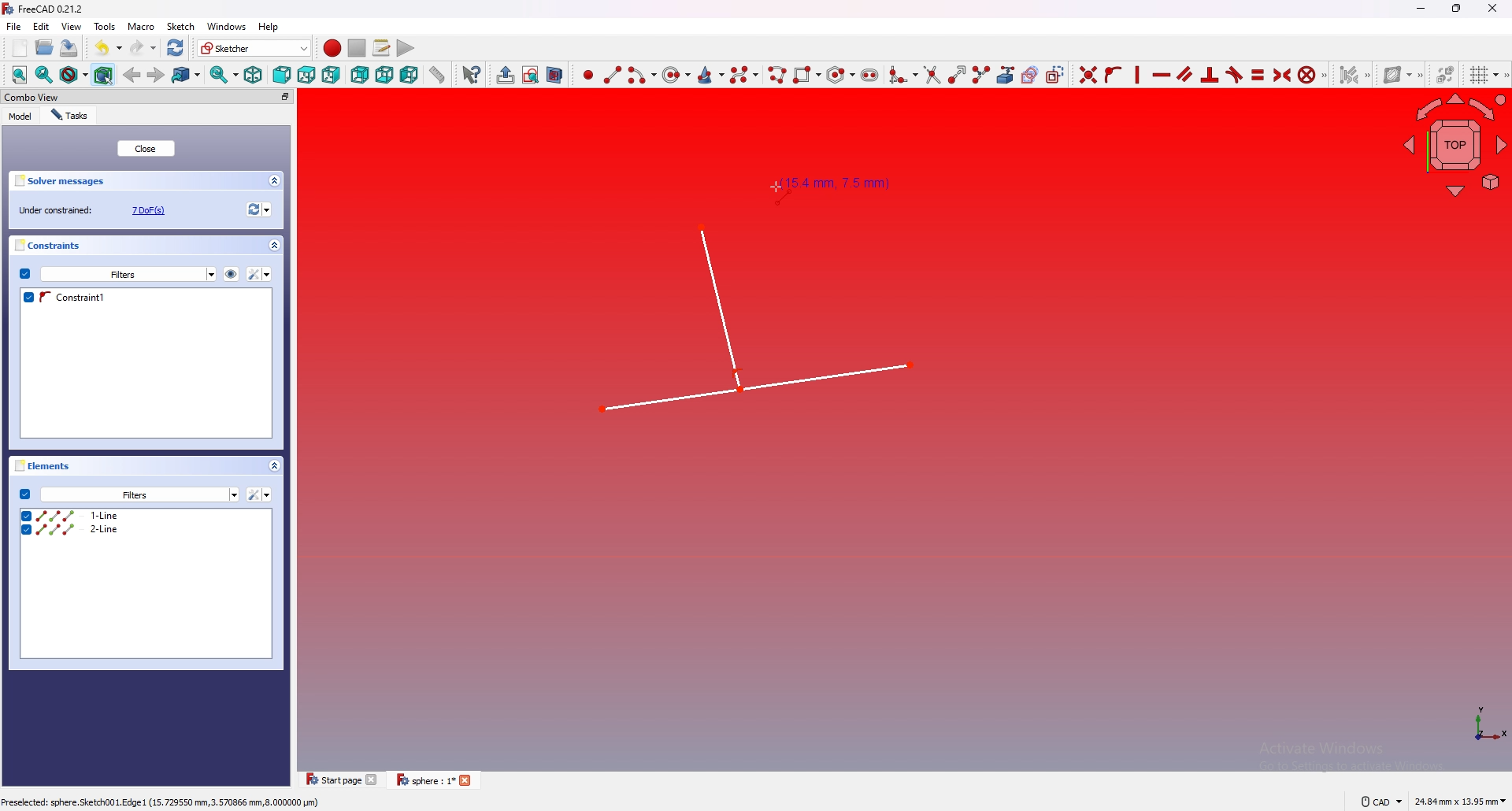 The height and width of the screenshot is (811, 1512). Describe the element at coordinates (1280, 74) in the screenshot. I see `Constraint Symmetrical` at that location.